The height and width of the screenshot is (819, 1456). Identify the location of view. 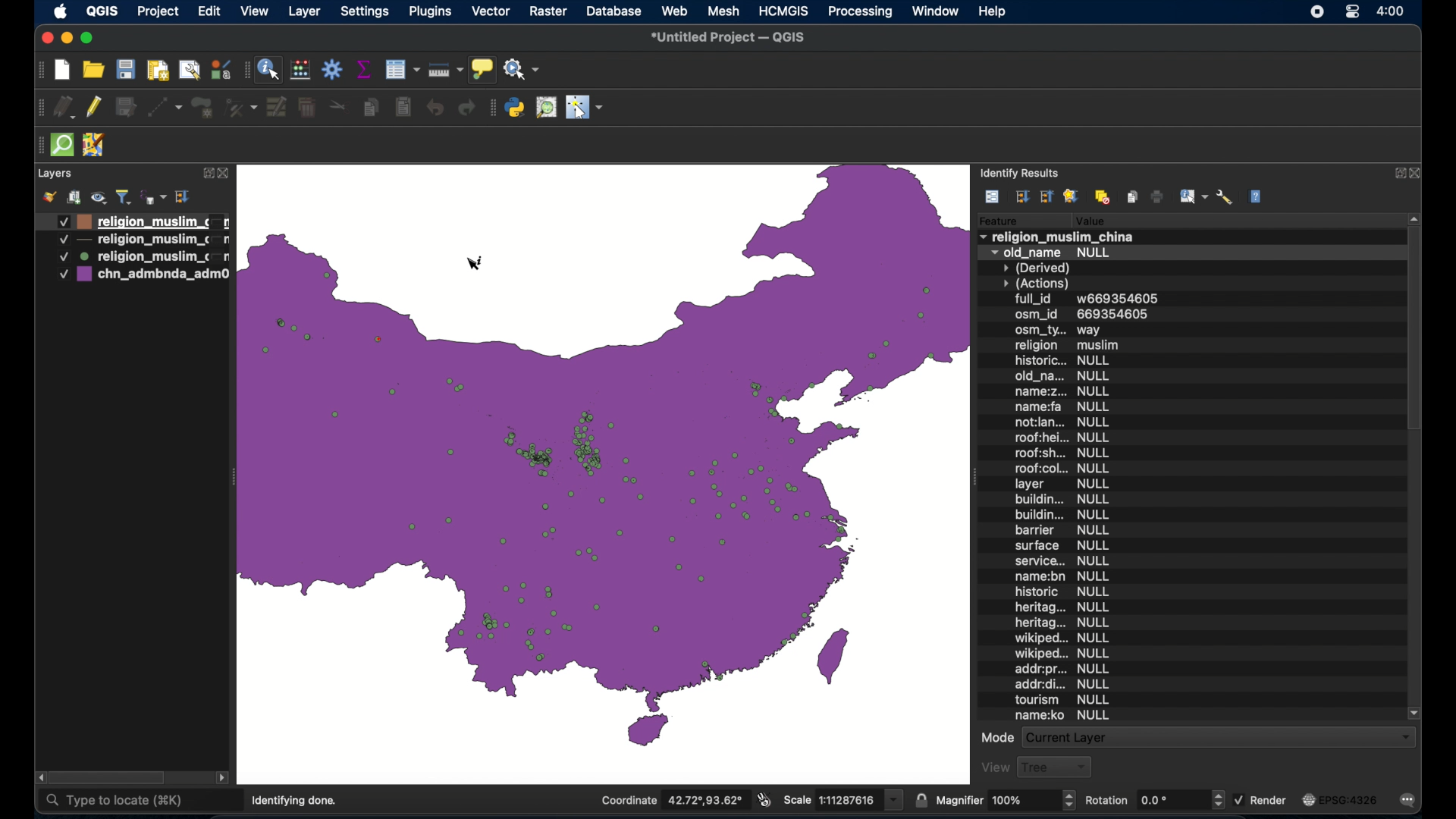
(256, 11).